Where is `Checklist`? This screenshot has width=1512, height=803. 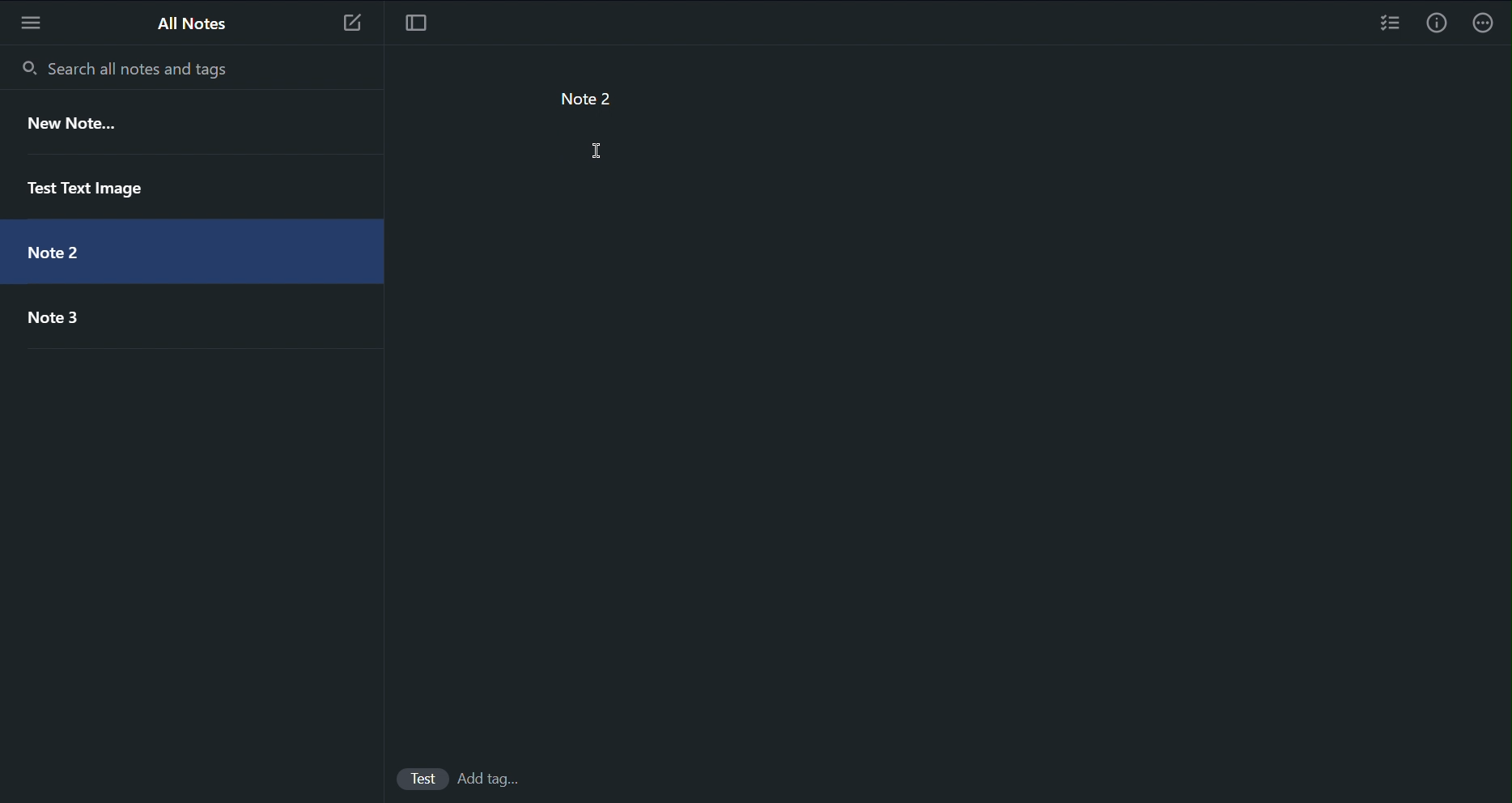 Checklist is located at coordinates (1390, 23).